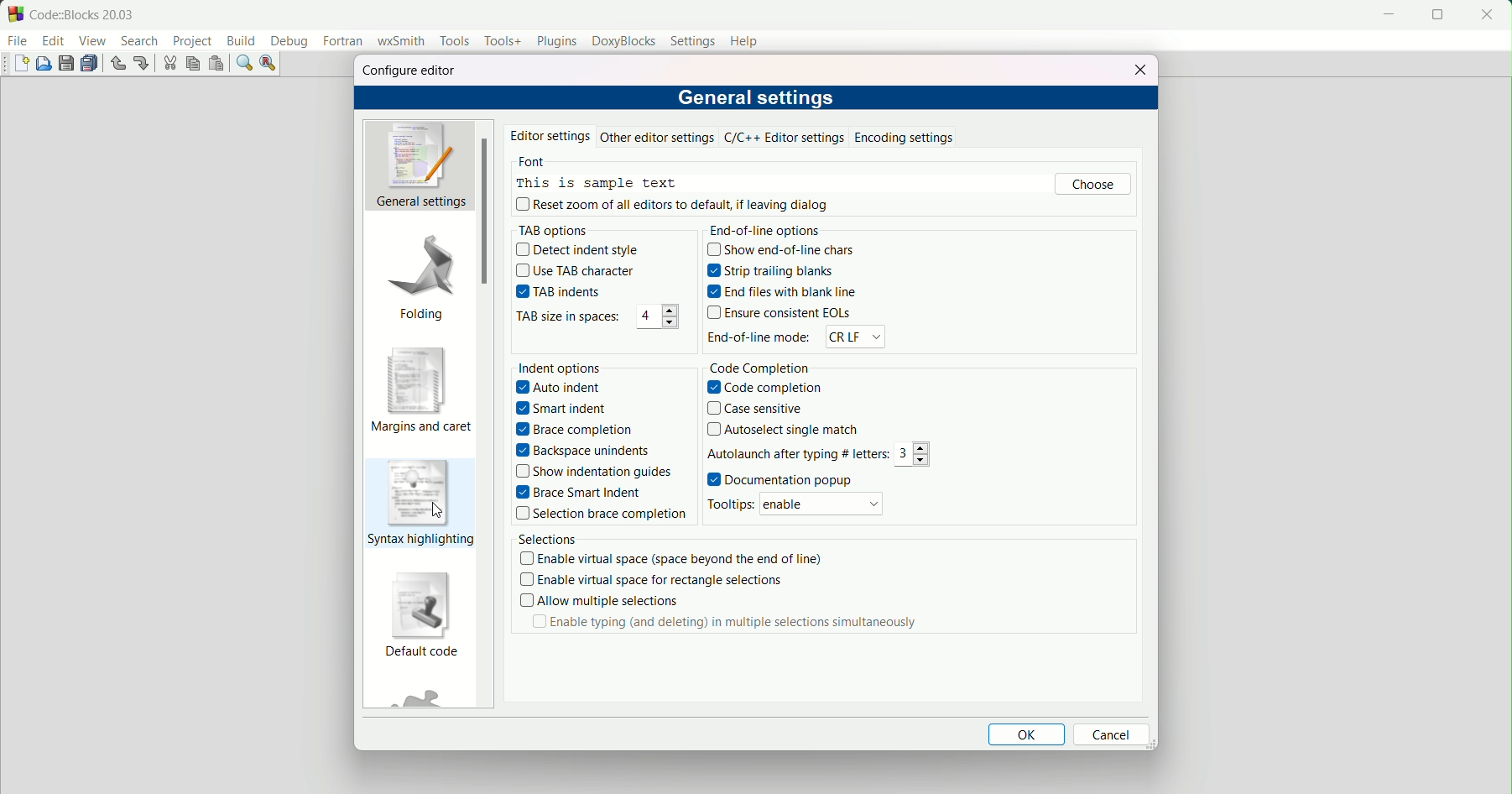 Image resolution: width=1512 pixels, height=794 pixels. Describe the element at coordinates (649, 580) in the screenshot. I see `enable virtual space for rectangle` at that location.